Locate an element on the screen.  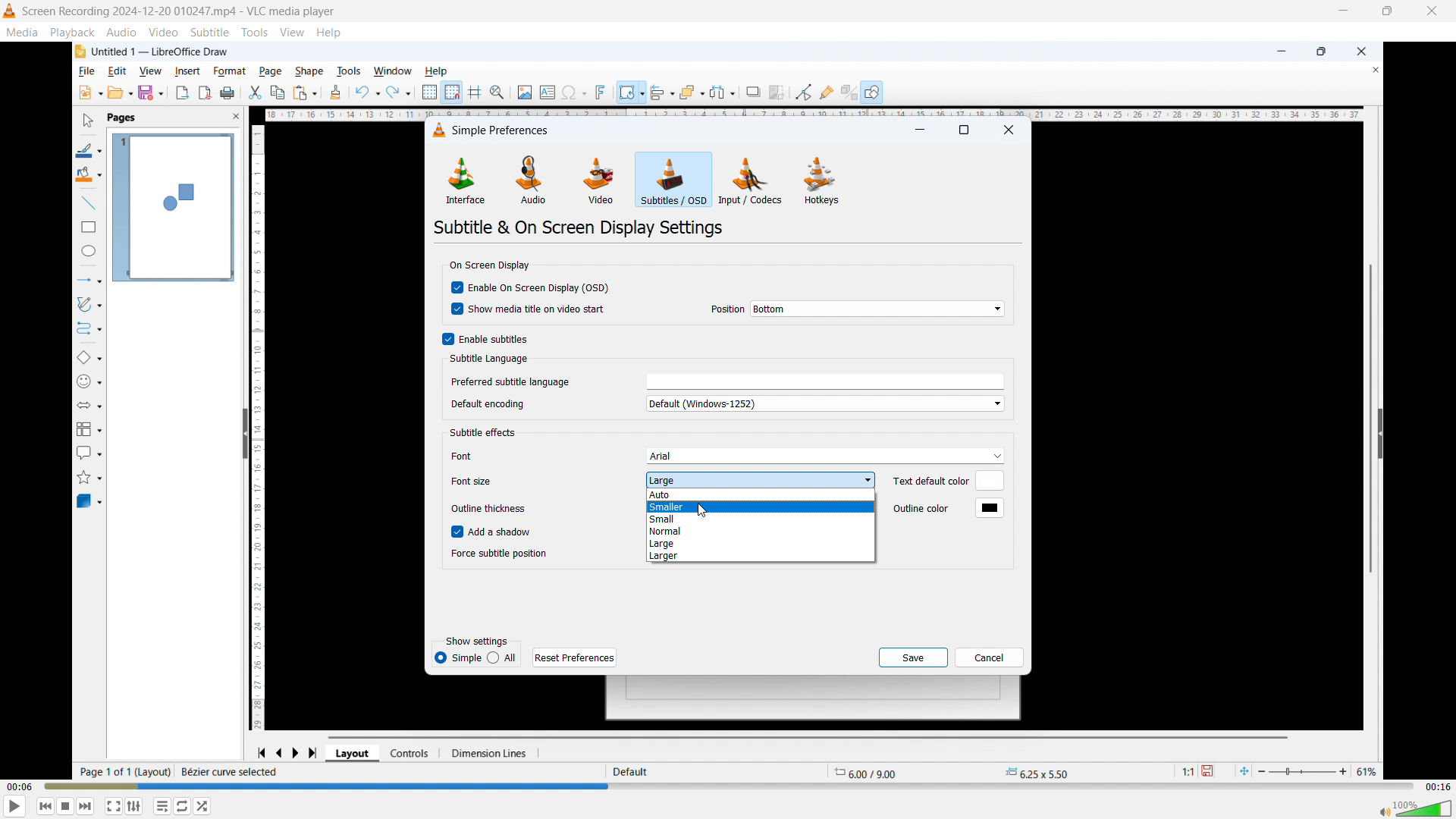
Enable subtitles  is located at coordinates (485, 338).